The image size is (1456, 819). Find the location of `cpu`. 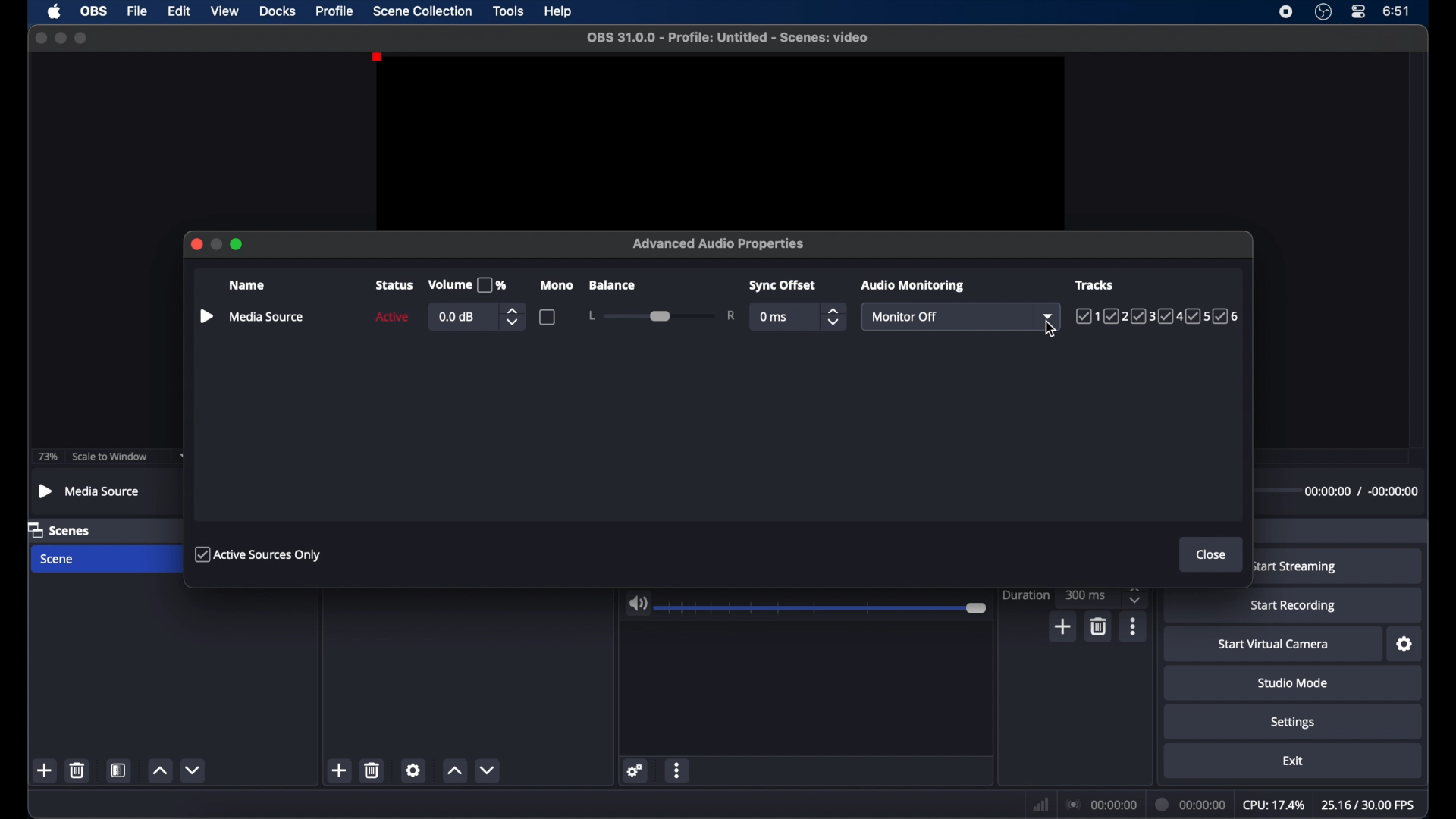

cpu is located at coordinates (1273, 805).